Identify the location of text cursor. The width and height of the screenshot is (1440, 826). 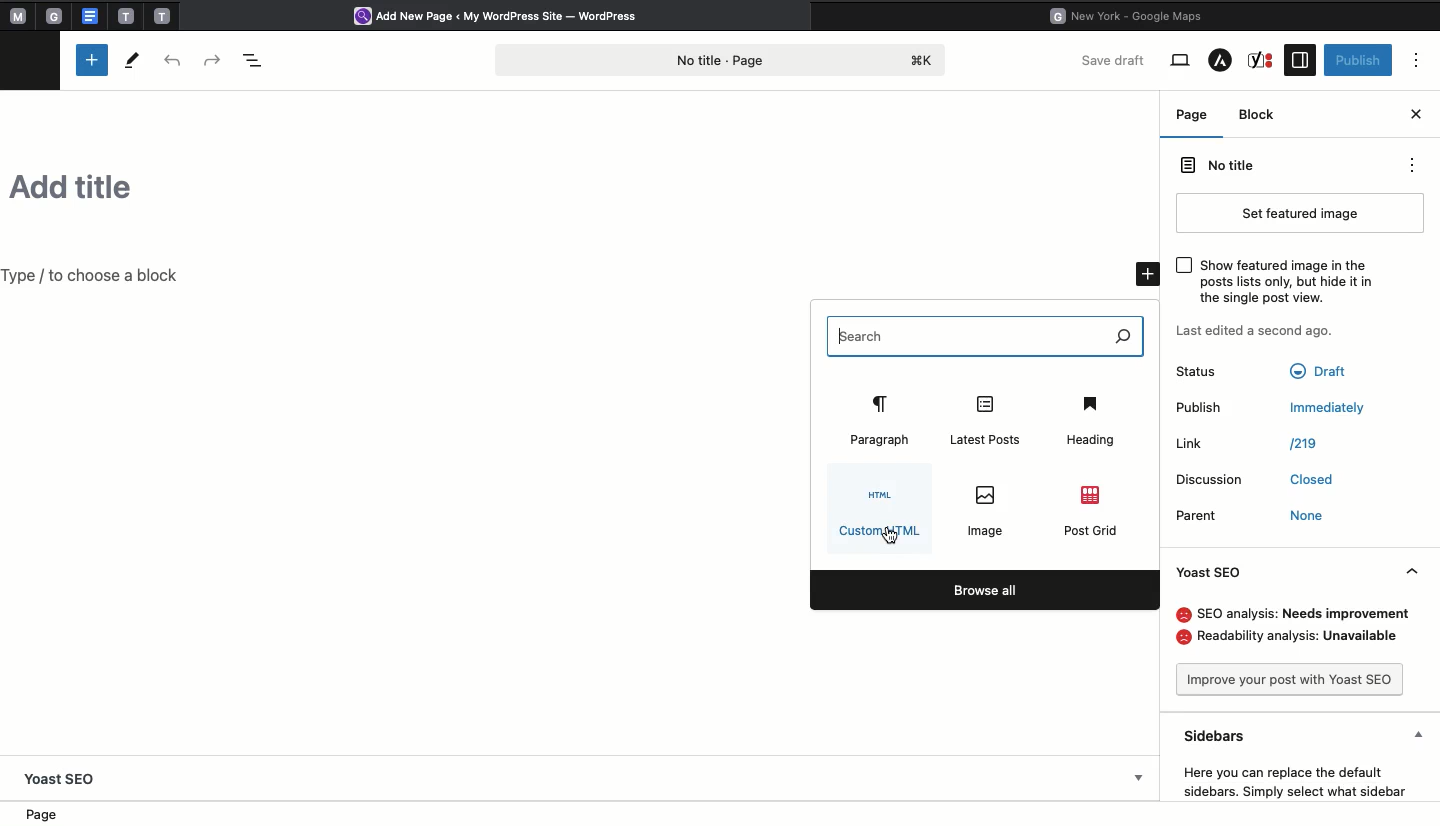
(839, 341).